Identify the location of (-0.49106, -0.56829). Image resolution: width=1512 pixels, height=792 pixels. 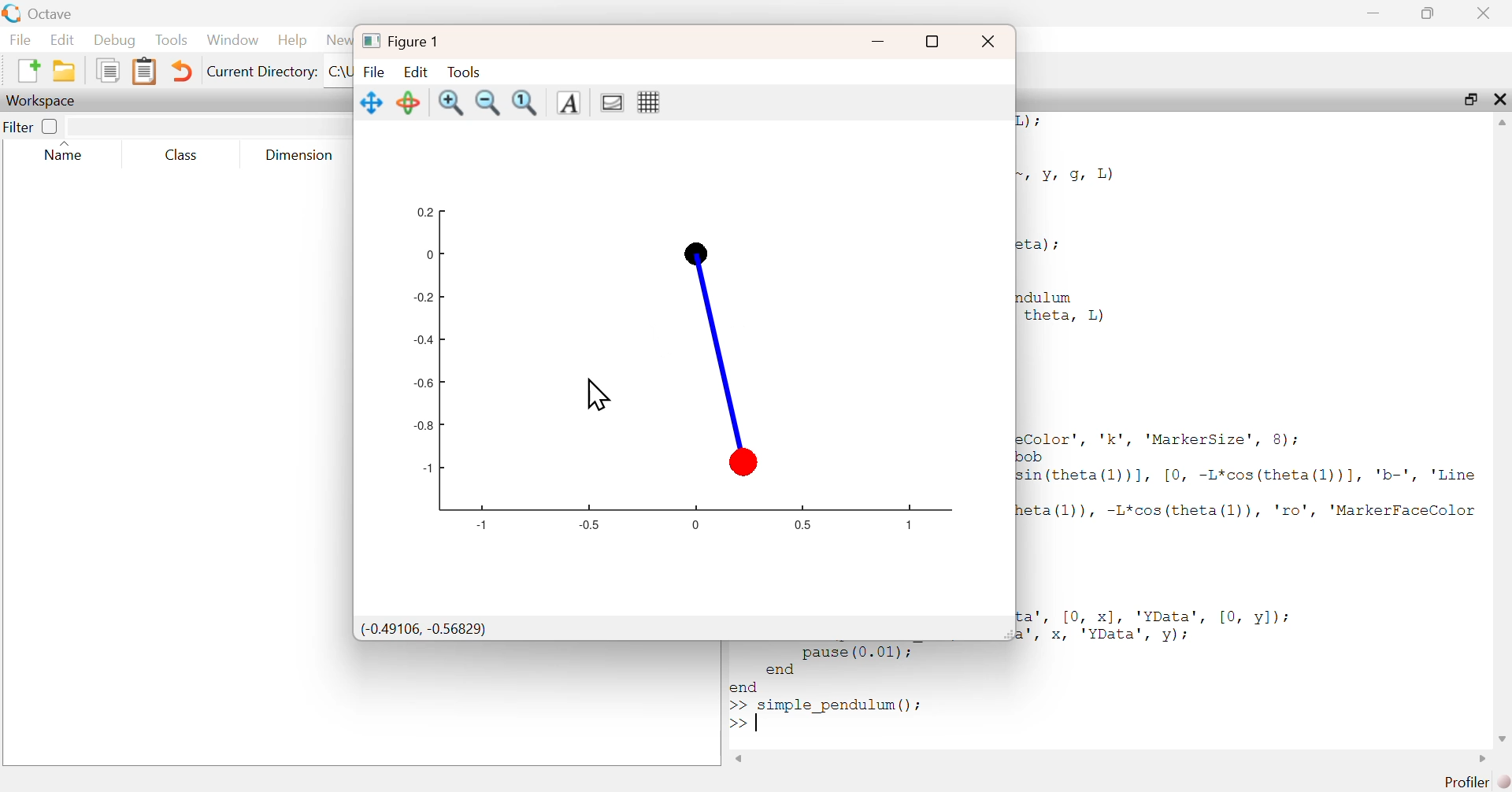
(423, 628).